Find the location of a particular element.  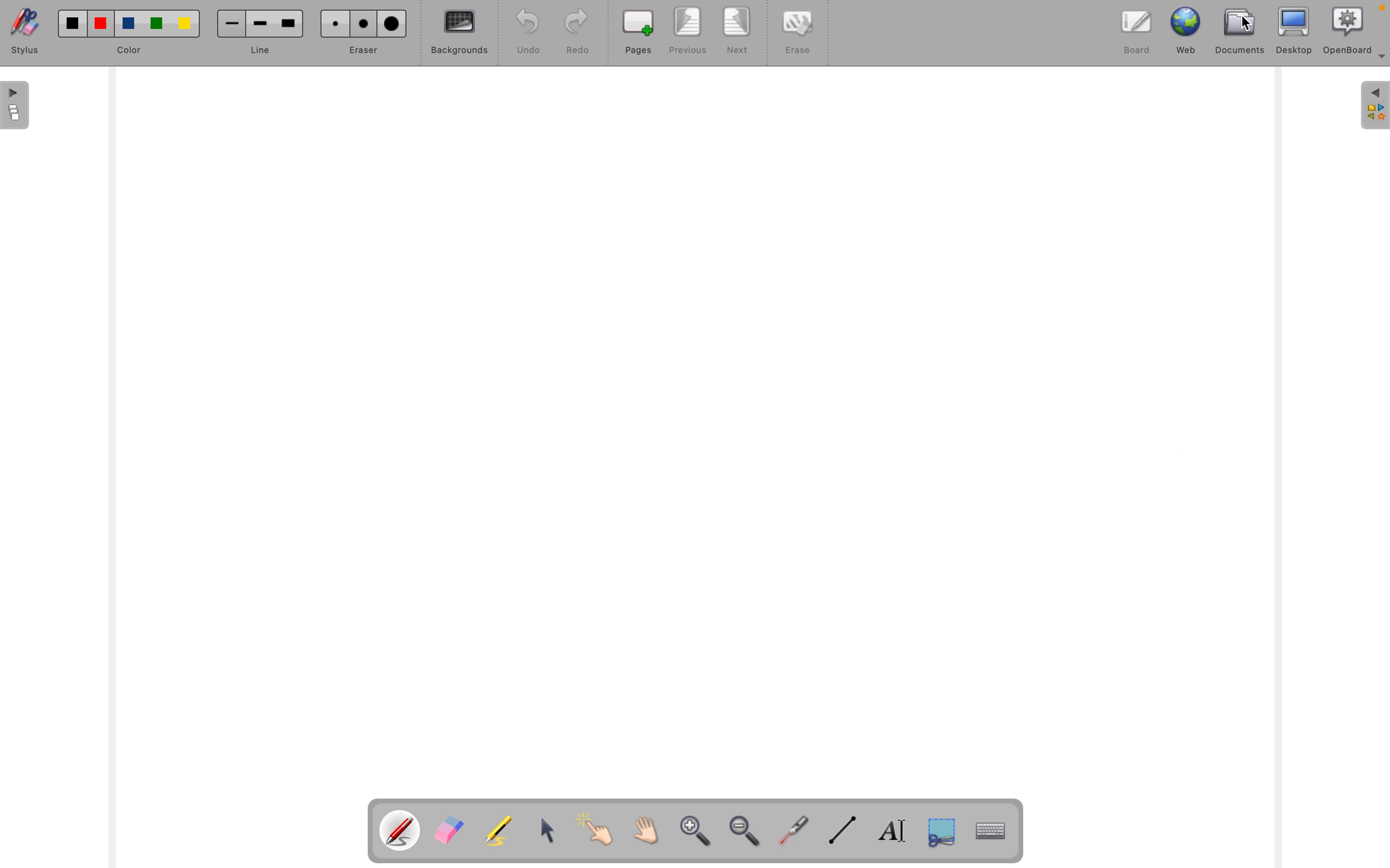

capture a part of the screen is located at coordinates (942, 831).